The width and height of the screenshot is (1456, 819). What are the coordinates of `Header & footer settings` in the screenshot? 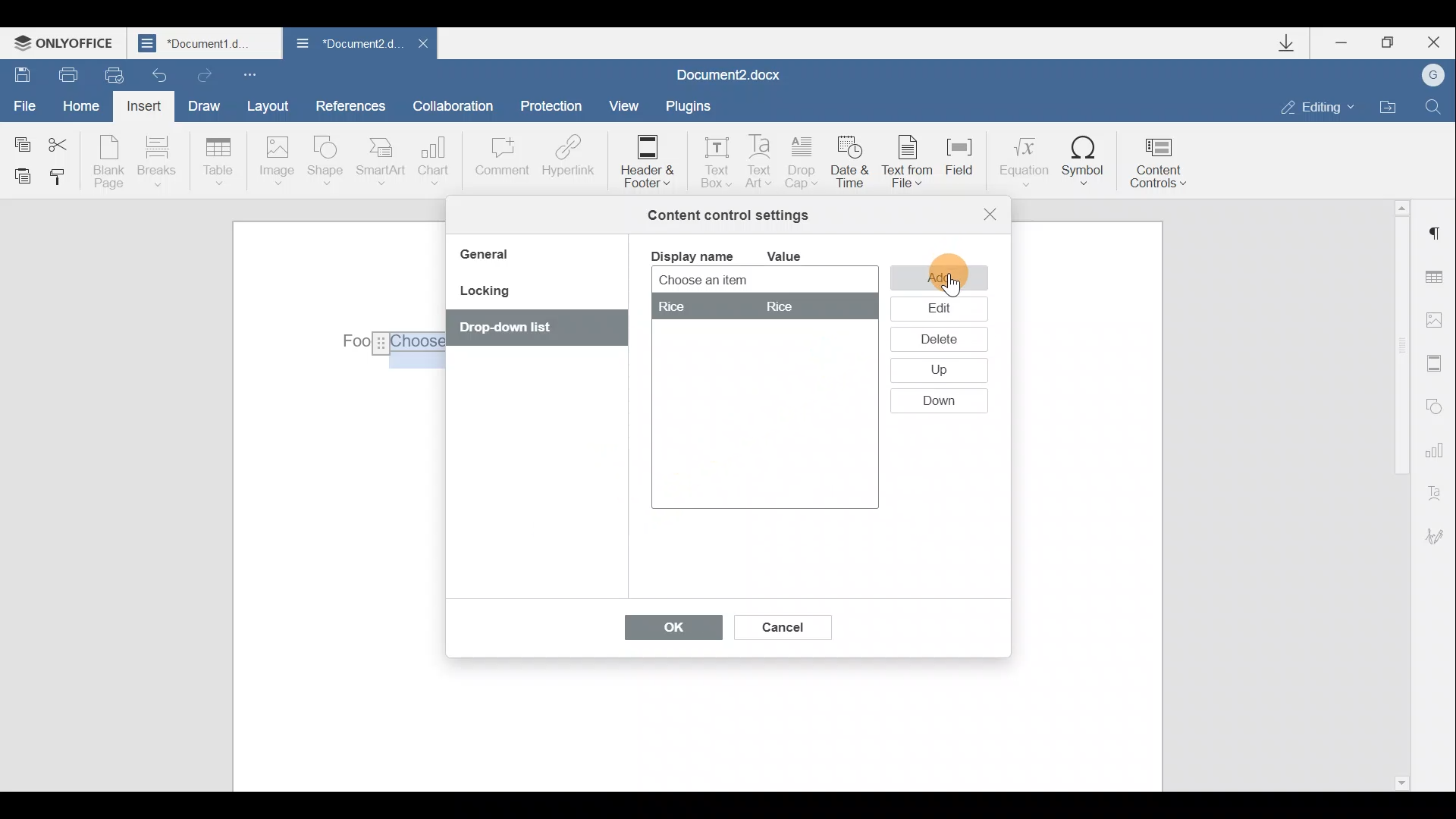 It's located at (1438, 362).